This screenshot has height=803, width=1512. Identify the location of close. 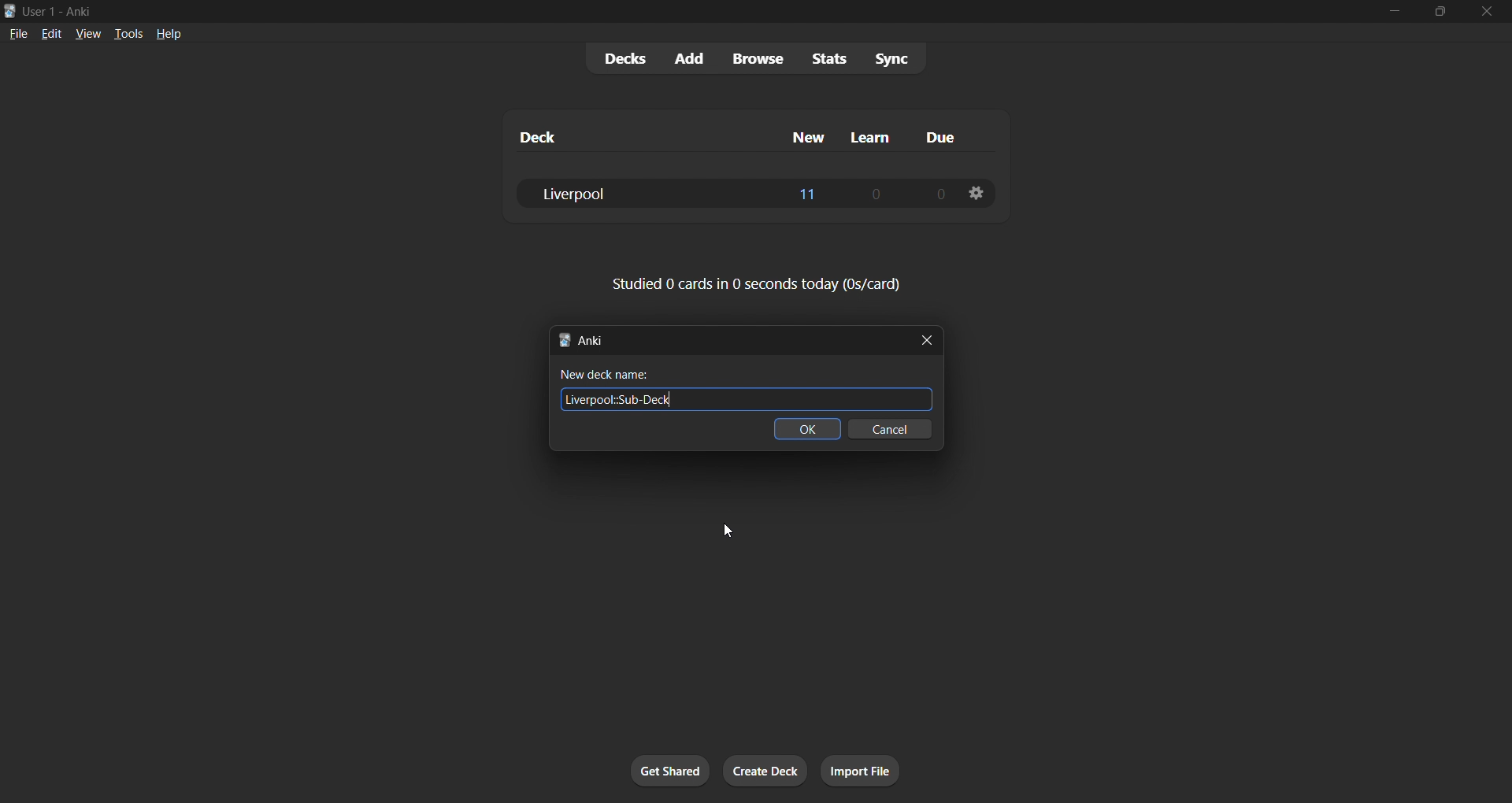
(922, 337).